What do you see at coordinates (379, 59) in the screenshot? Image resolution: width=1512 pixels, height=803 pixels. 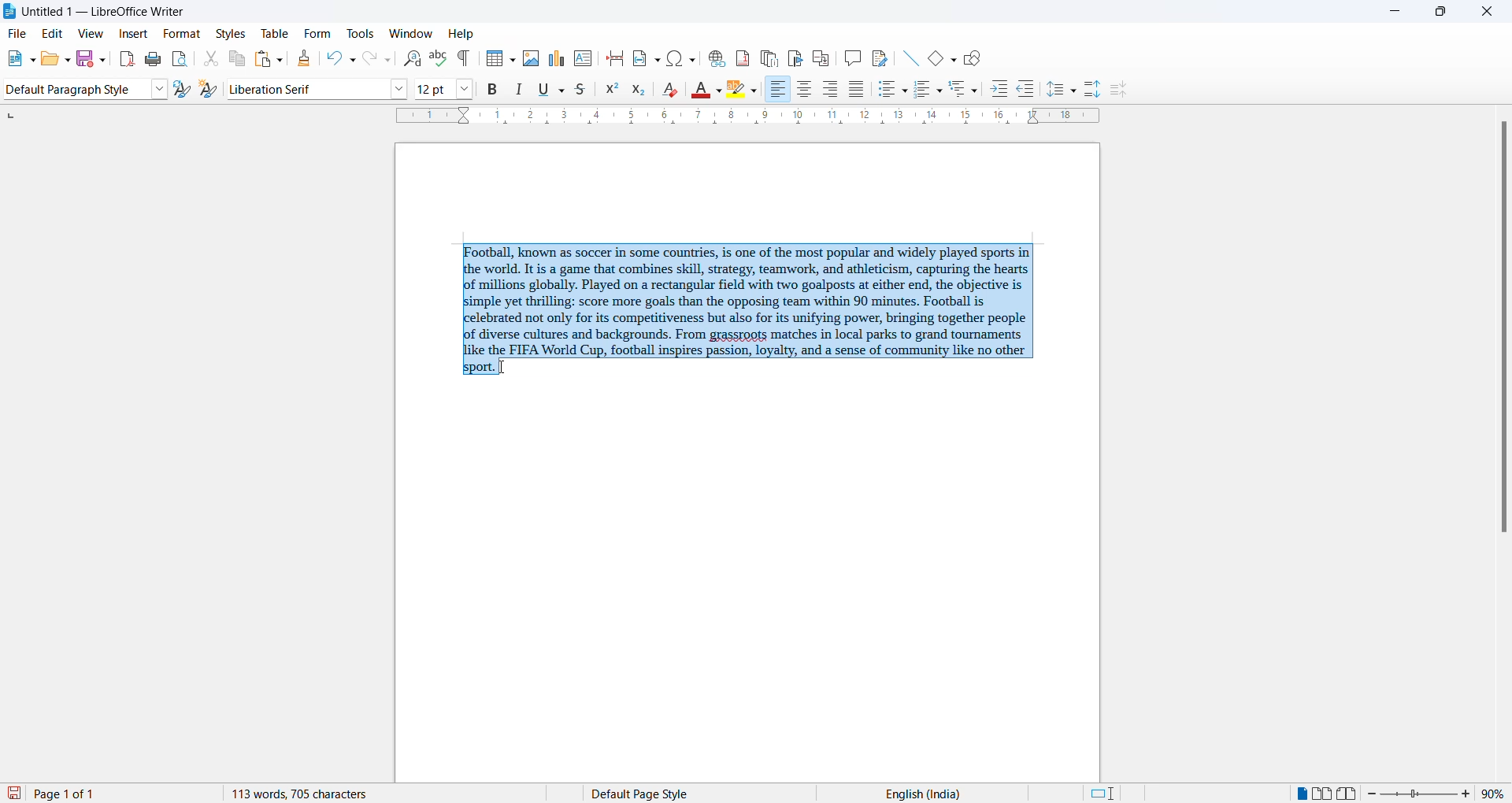 I see `redo` at bounding box center [379, 59].